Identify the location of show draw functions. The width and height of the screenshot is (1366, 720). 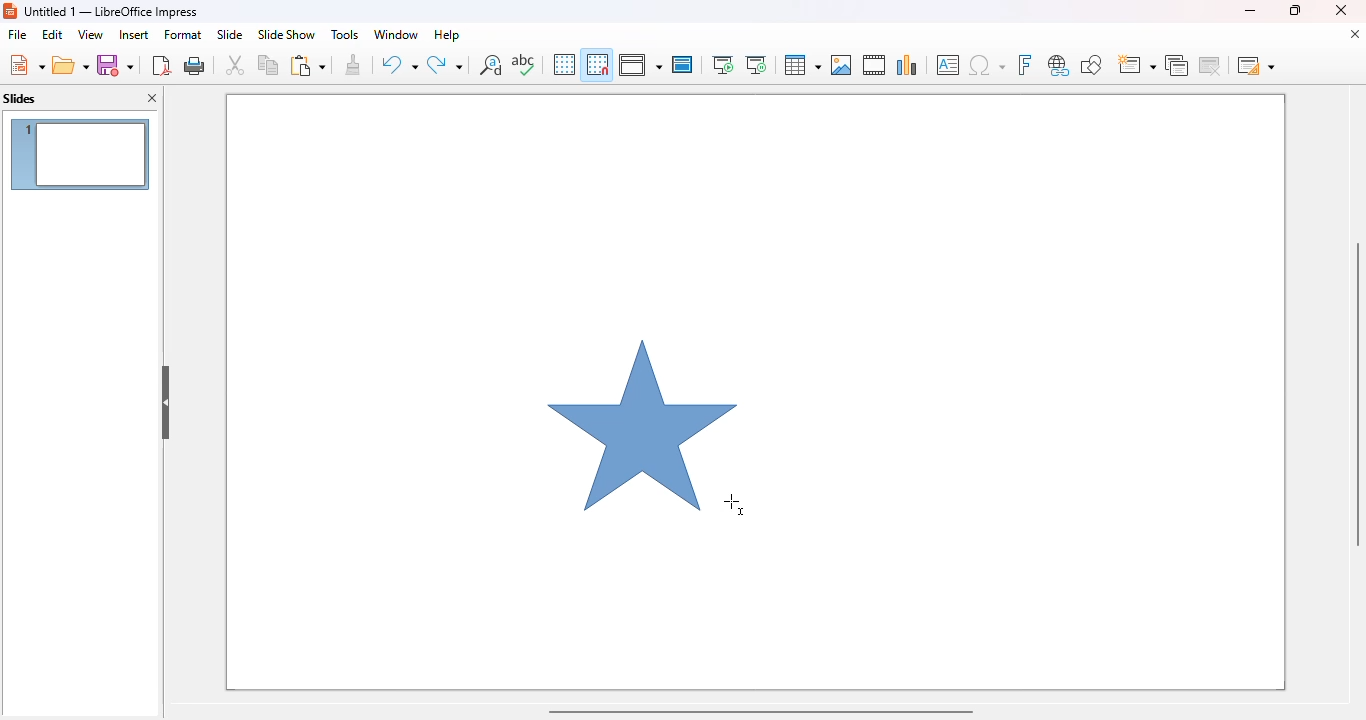
(1090, 64).